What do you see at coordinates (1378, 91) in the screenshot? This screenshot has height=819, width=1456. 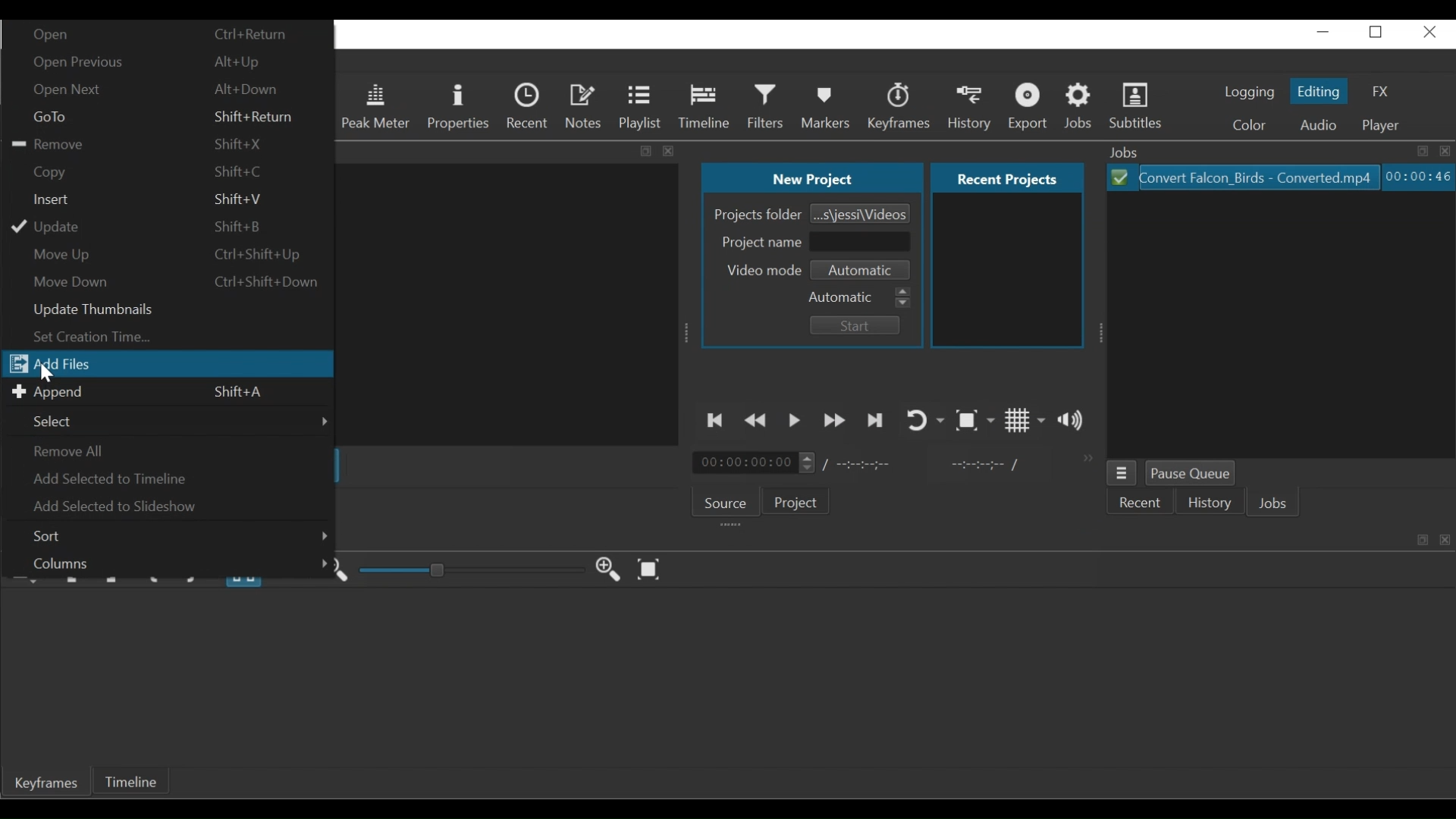 I see `FX` at bounding box center [1378, 91].